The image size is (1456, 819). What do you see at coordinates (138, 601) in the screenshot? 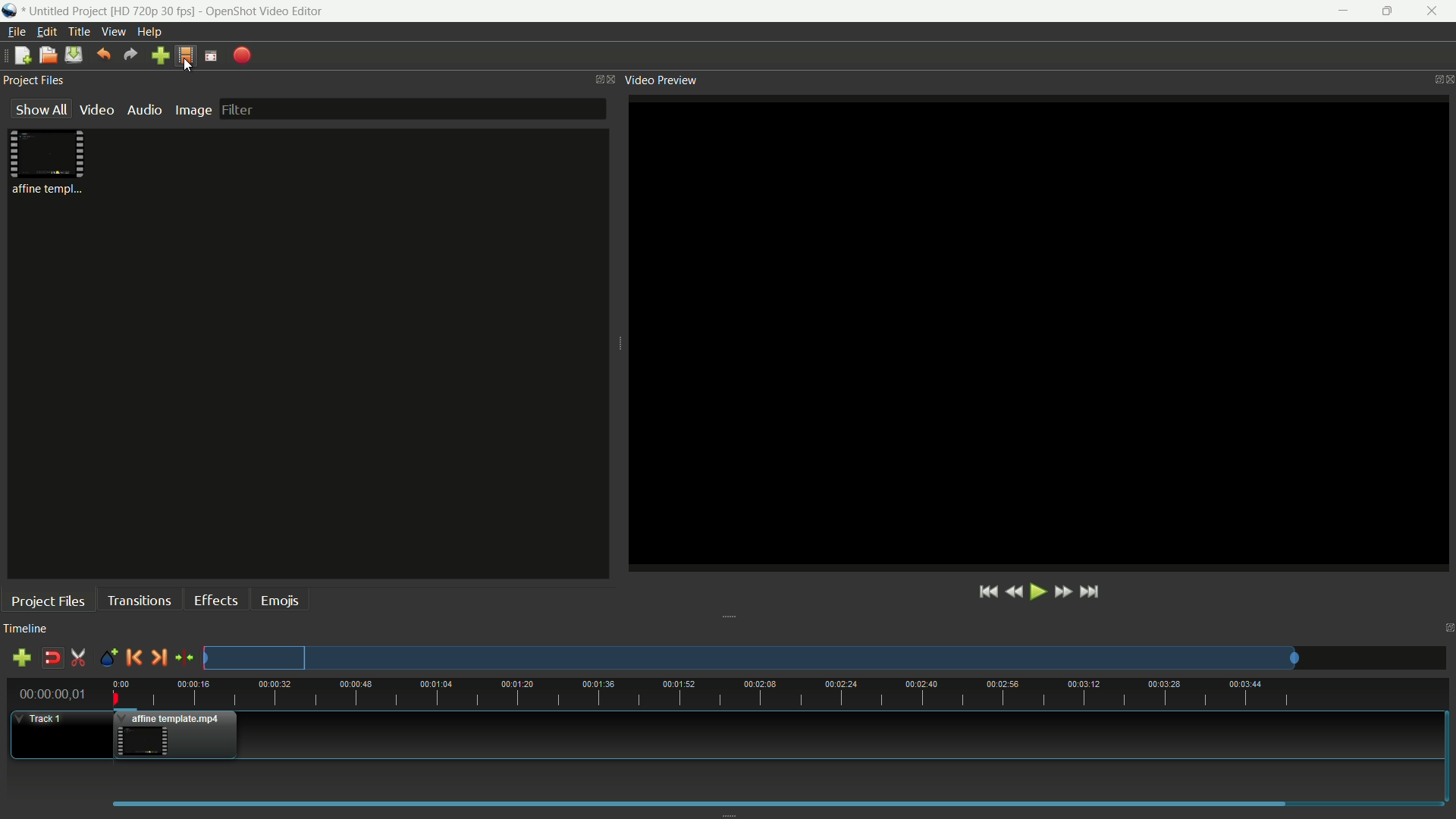
I see `transitions` at bounding box center [138, 601].